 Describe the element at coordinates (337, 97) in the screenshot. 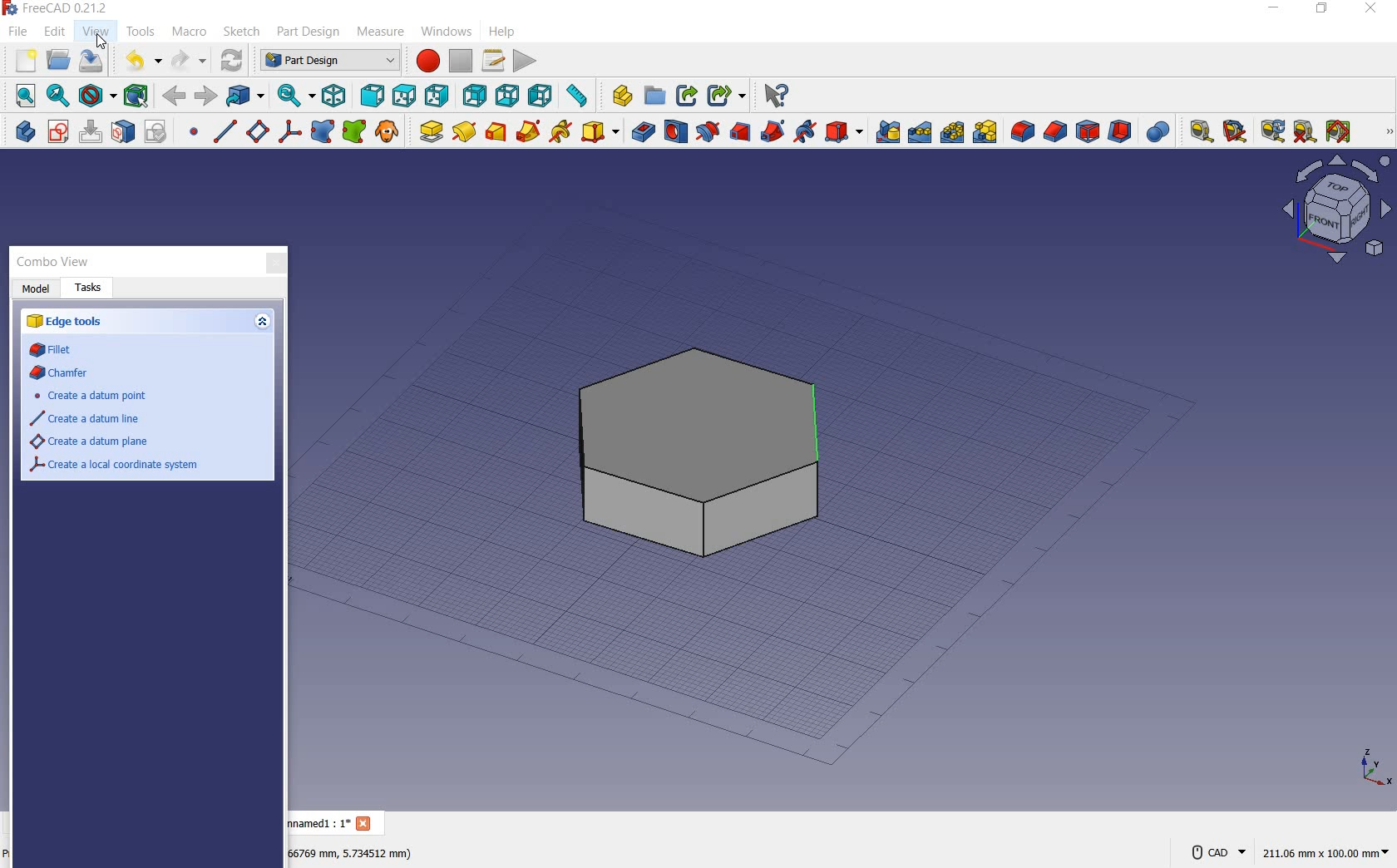

I see `isometric` at that location.